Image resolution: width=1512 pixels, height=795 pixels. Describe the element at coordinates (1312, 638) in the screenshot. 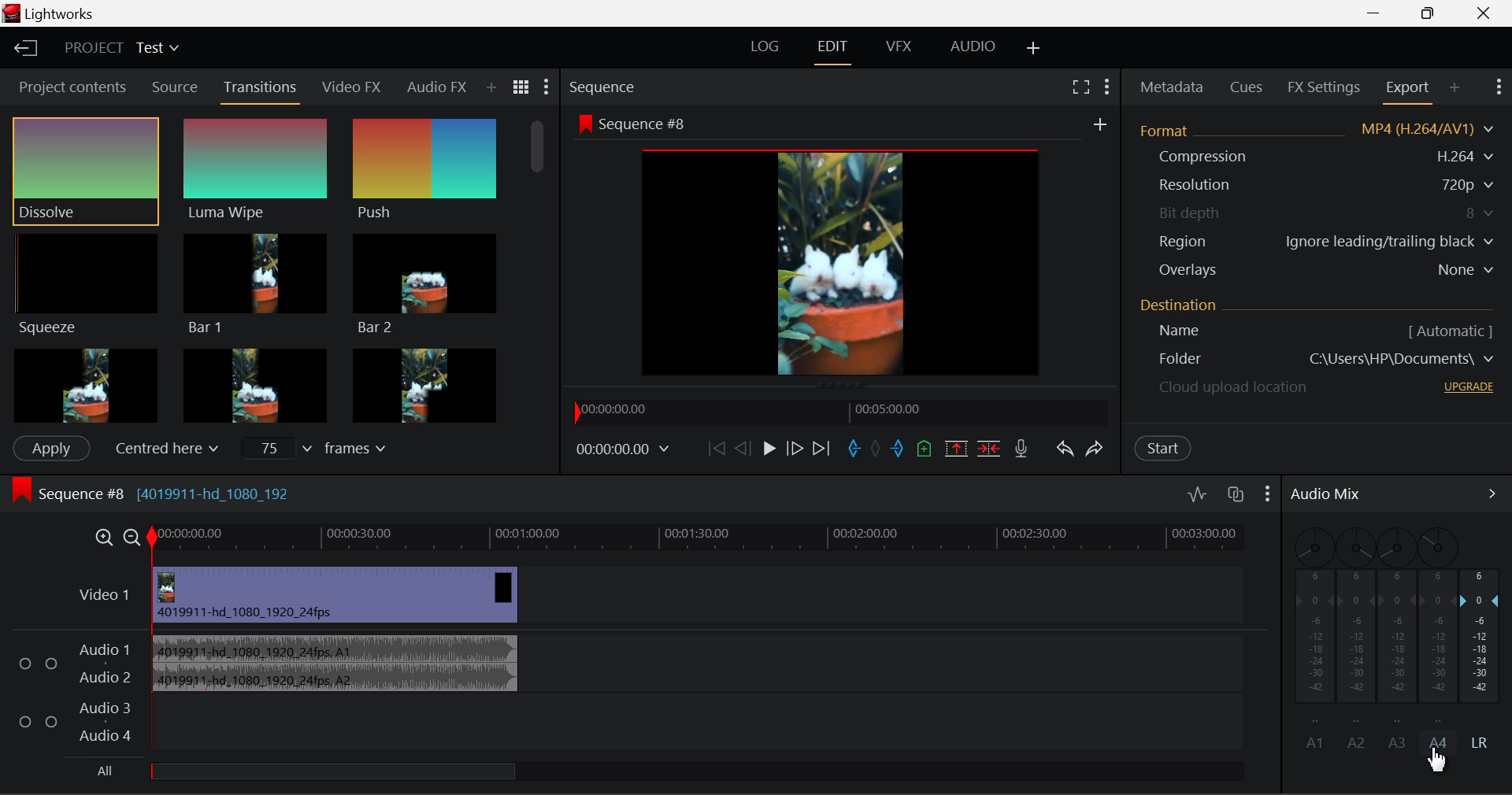

I see `A1 Sound Disabled` at that location.